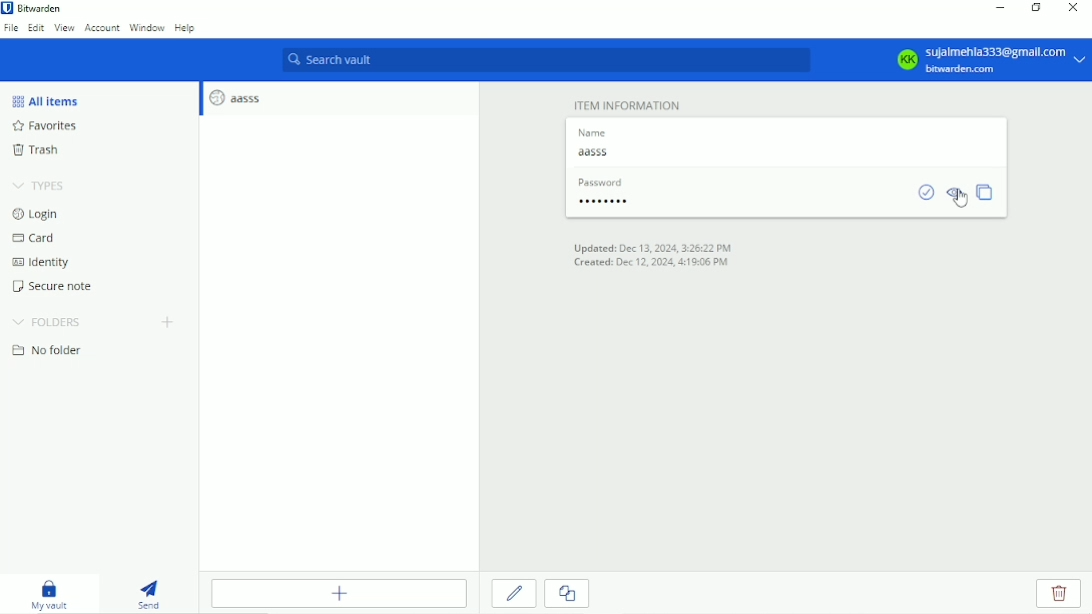 The height and width of the screenshot is (614, 1092). Describe the element at coordinates (599, 156) in the screenshot. I see `Name` at that location.